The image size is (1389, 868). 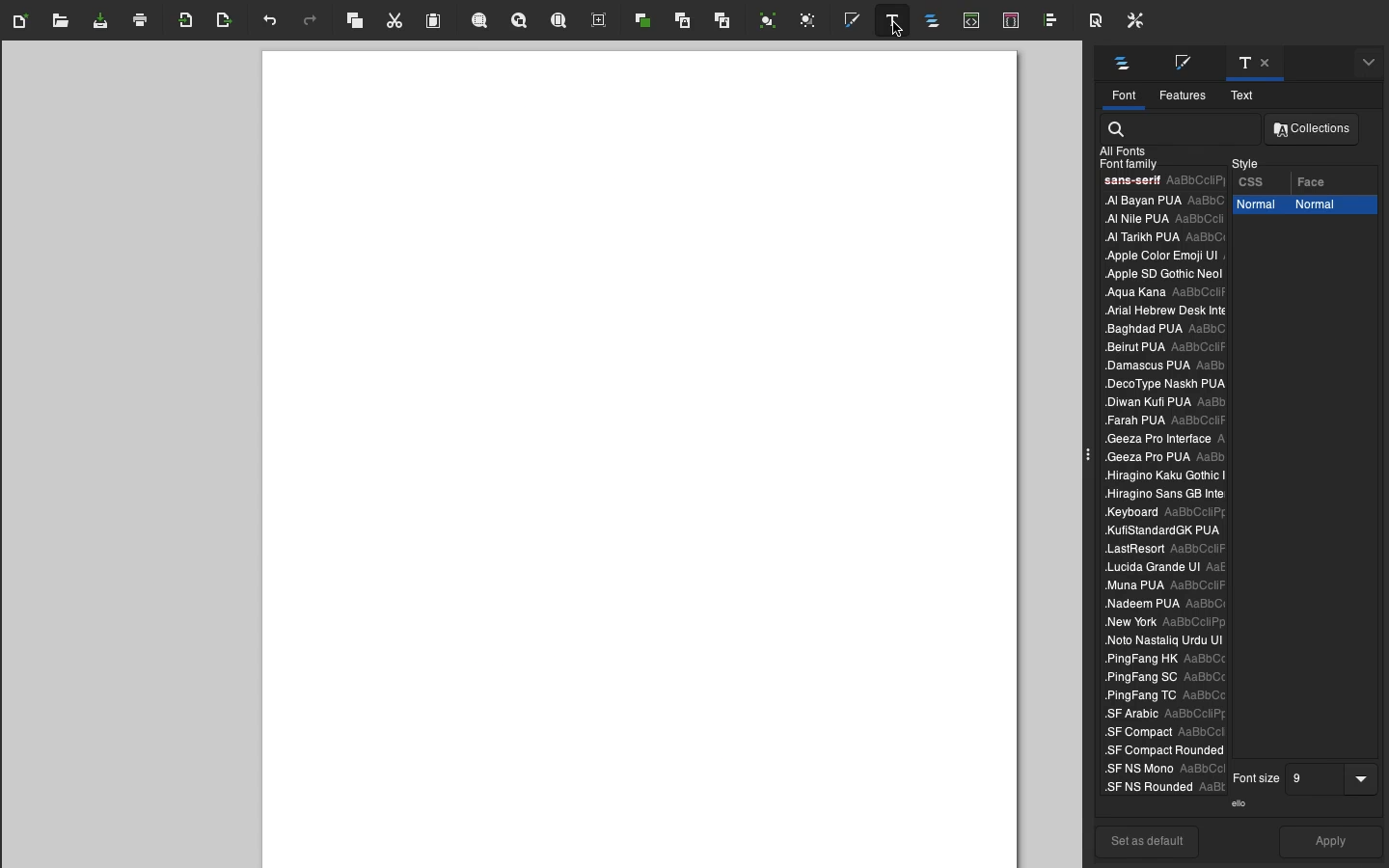 I want to click on .Nadeem PUA, so click(x=1160, y=605).